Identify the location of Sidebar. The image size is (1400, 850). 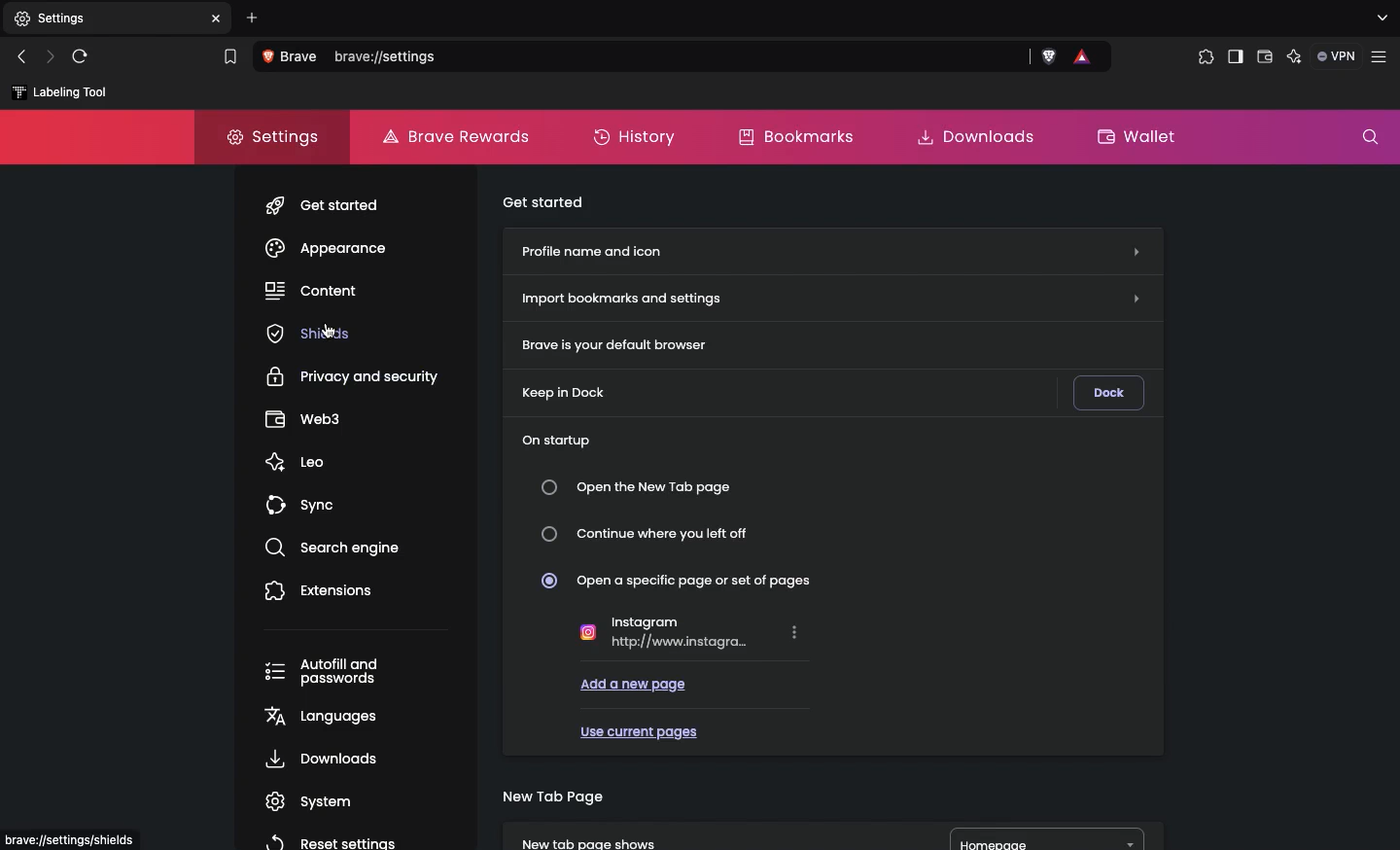
(1234, 58).